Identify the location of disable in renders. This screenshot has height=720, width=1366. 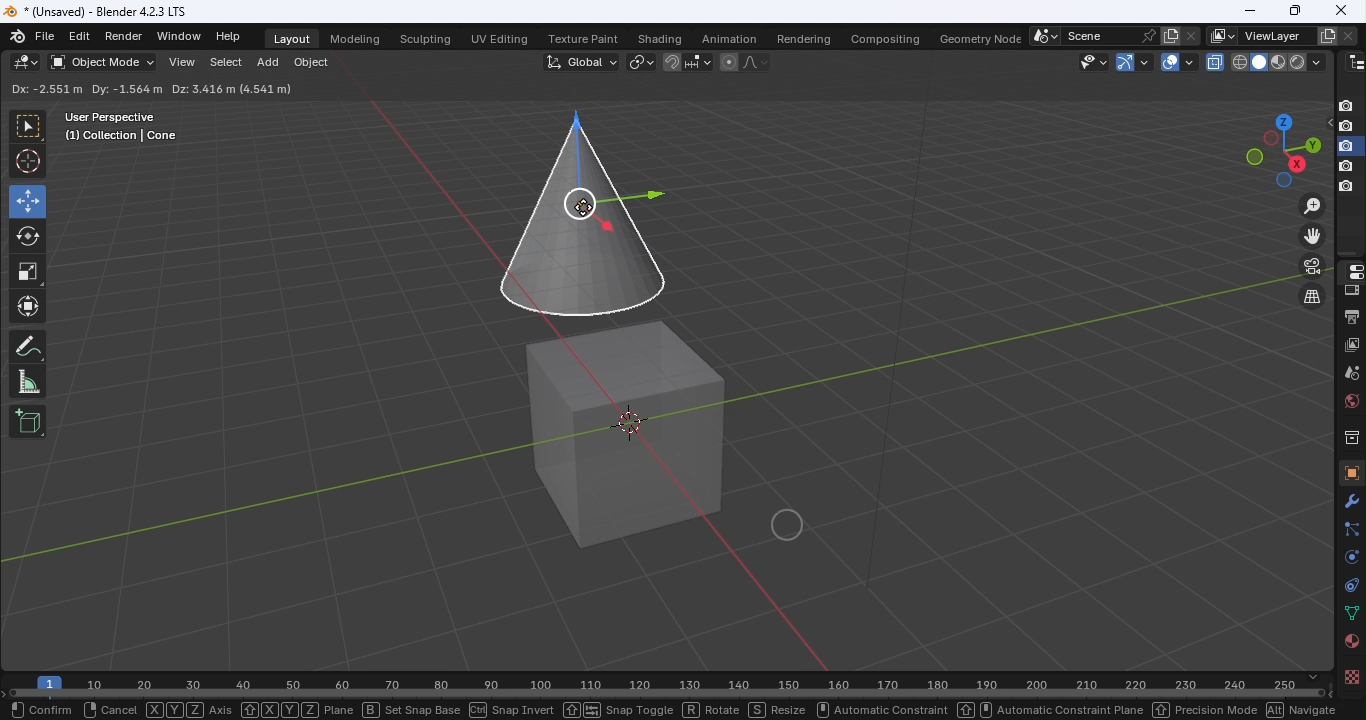
(1346, 187).